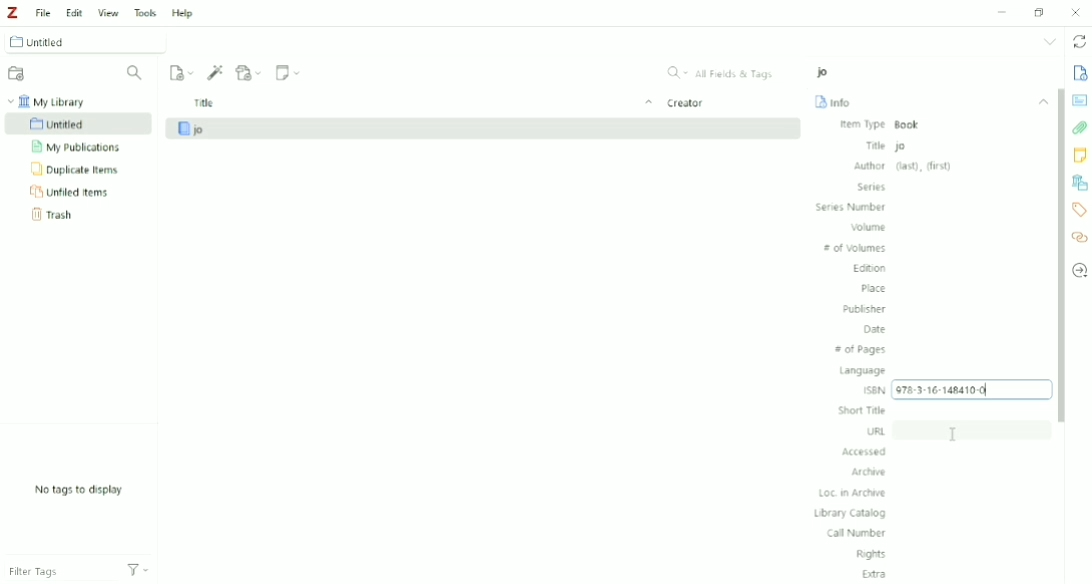  Describe the element at coordinates (107, 14) in the screenshot. I see `View` at that location.